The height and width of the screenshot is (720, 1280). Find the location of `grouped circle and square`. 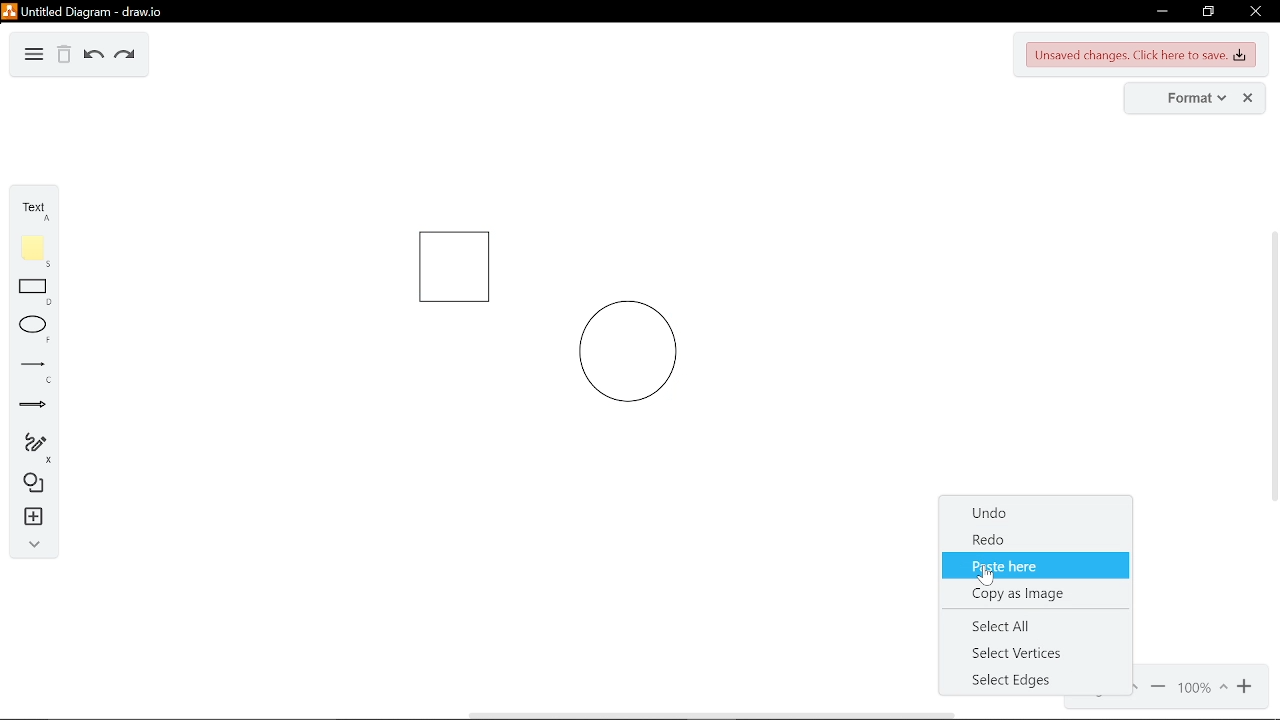

grouped circle and square is located at coordinates (542, 318).